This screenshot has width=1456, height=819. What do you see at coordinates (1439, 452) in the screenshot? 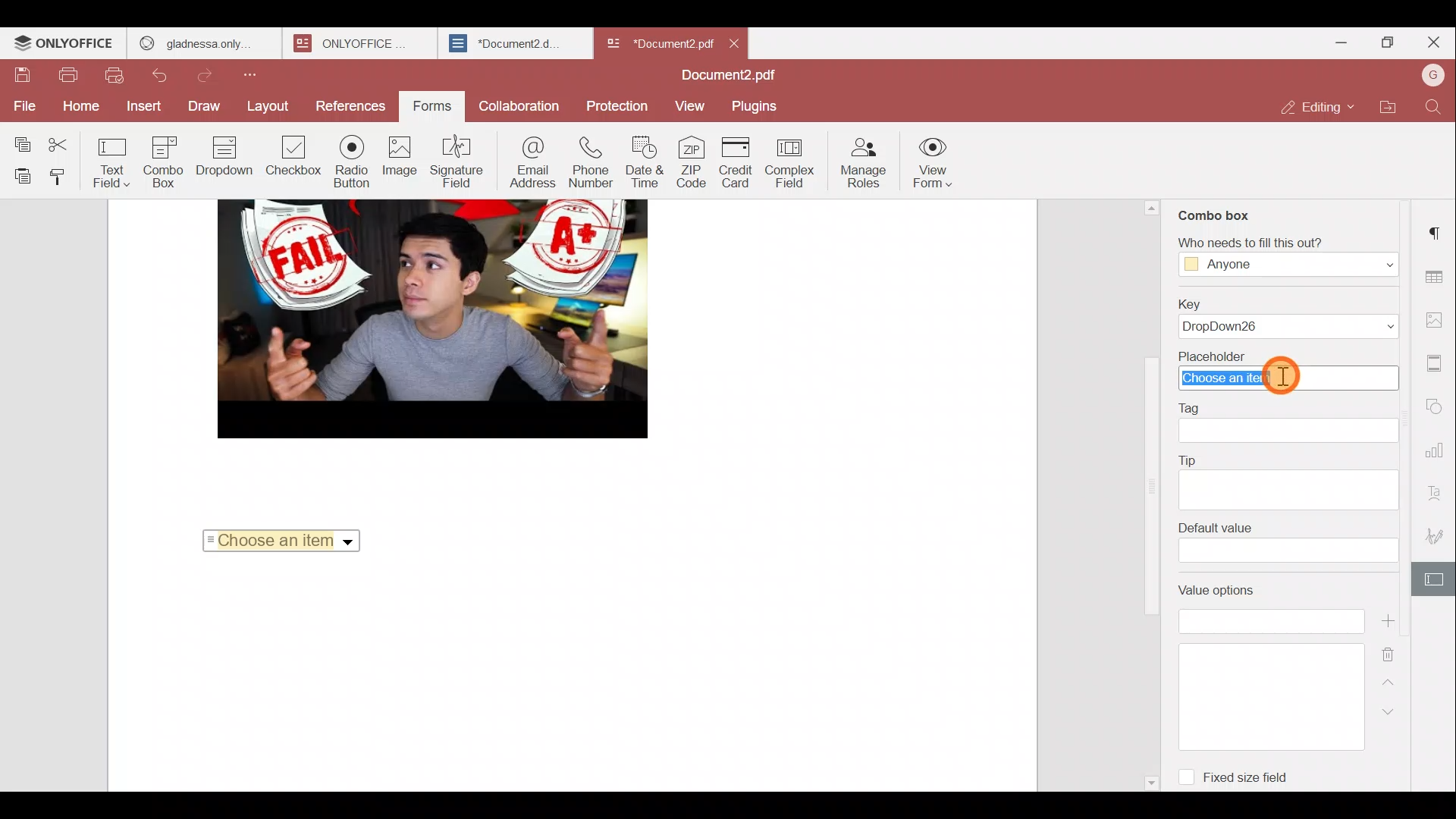
I see `Chart settings` at bounding box center [1439, 452].